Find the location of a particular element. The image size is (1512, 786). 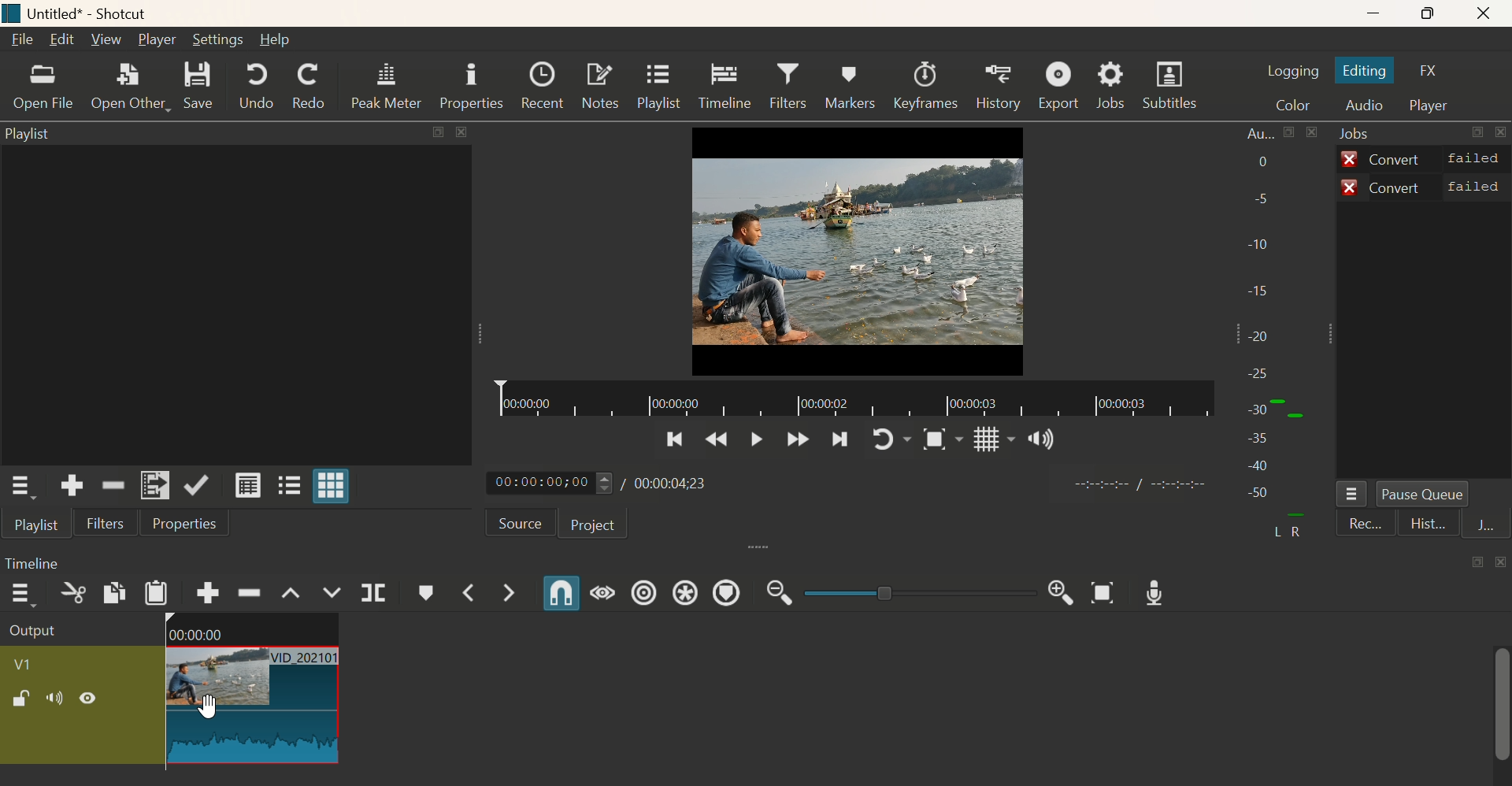

Player is located at coordinates (1432, 106).